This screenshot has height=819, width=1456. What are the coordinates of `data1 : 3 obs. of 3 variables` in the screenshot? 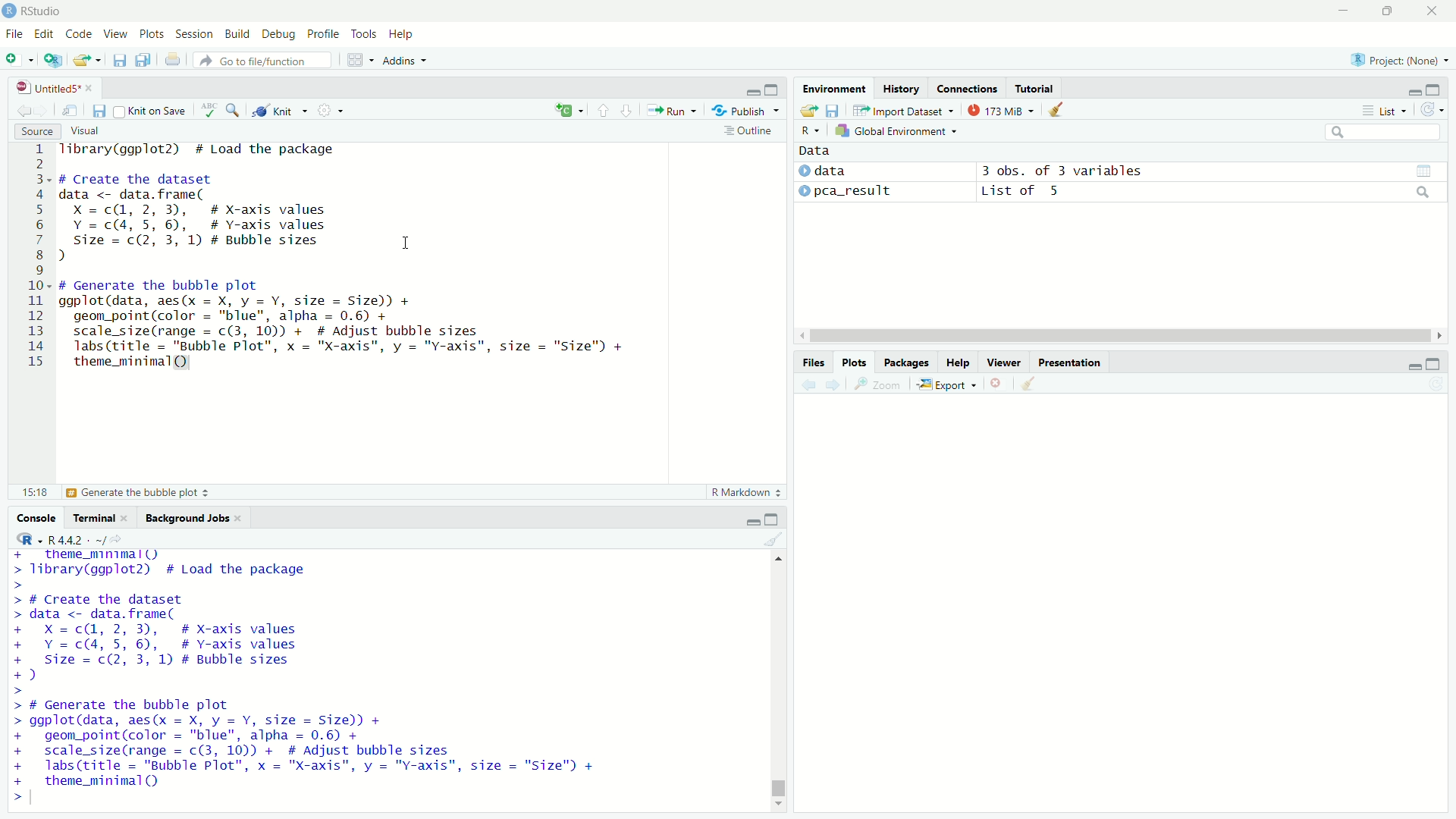 It's located at (1212, 172).